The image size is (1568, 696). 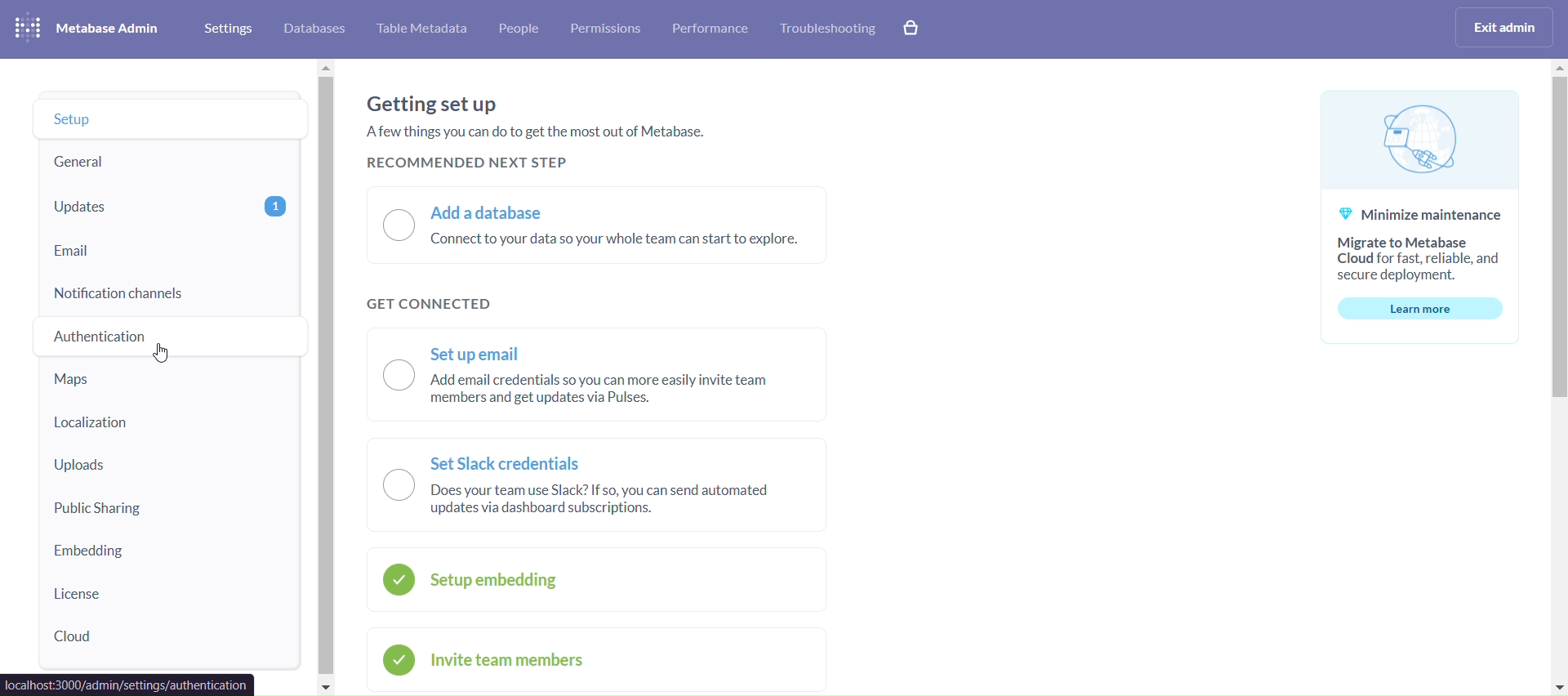 I want to click on general, so click(x=167, y=162).